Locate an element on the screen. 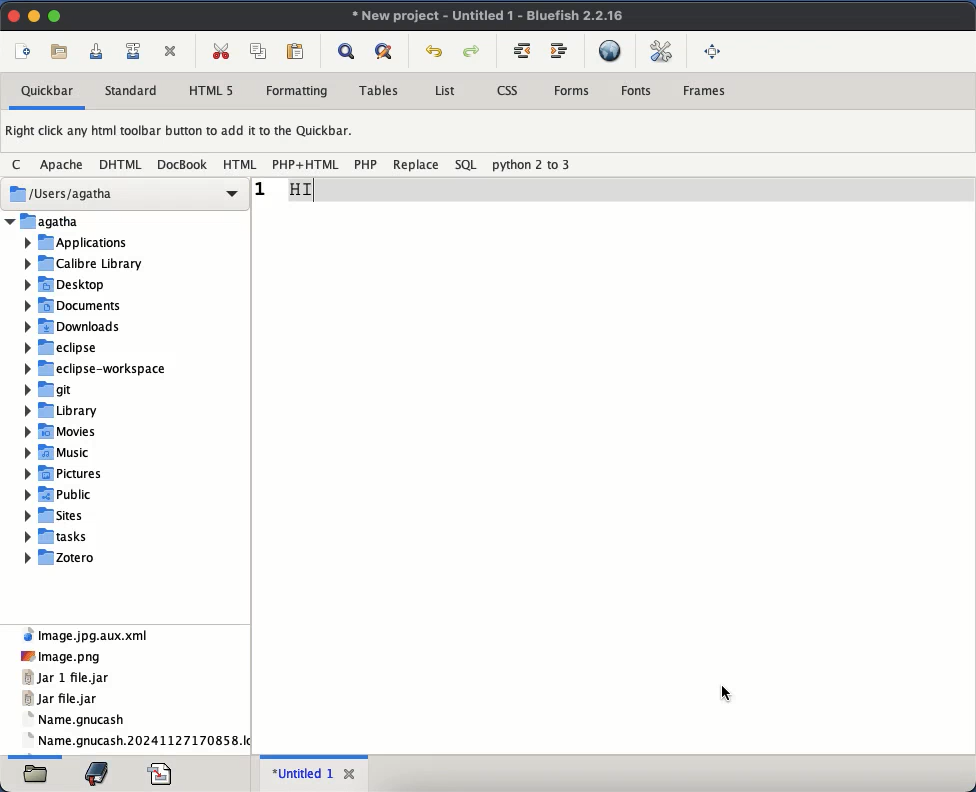  forms is located at coordinates (576, 93).